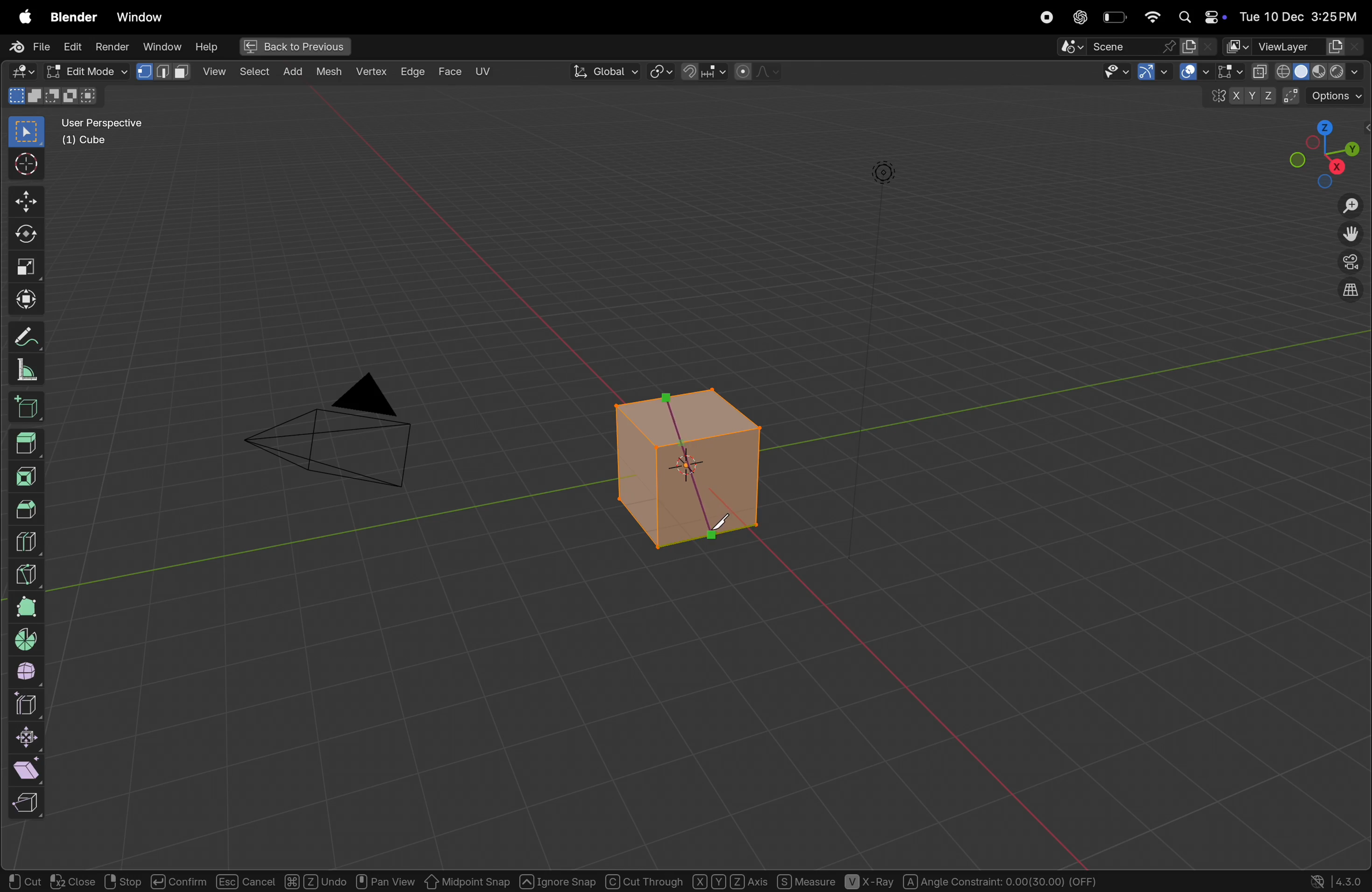 The width and height of the screenshot is (1372, 892). Describe the element at coordinates (1347, 293) in the screenshot. I see `orthographic view` at that location.